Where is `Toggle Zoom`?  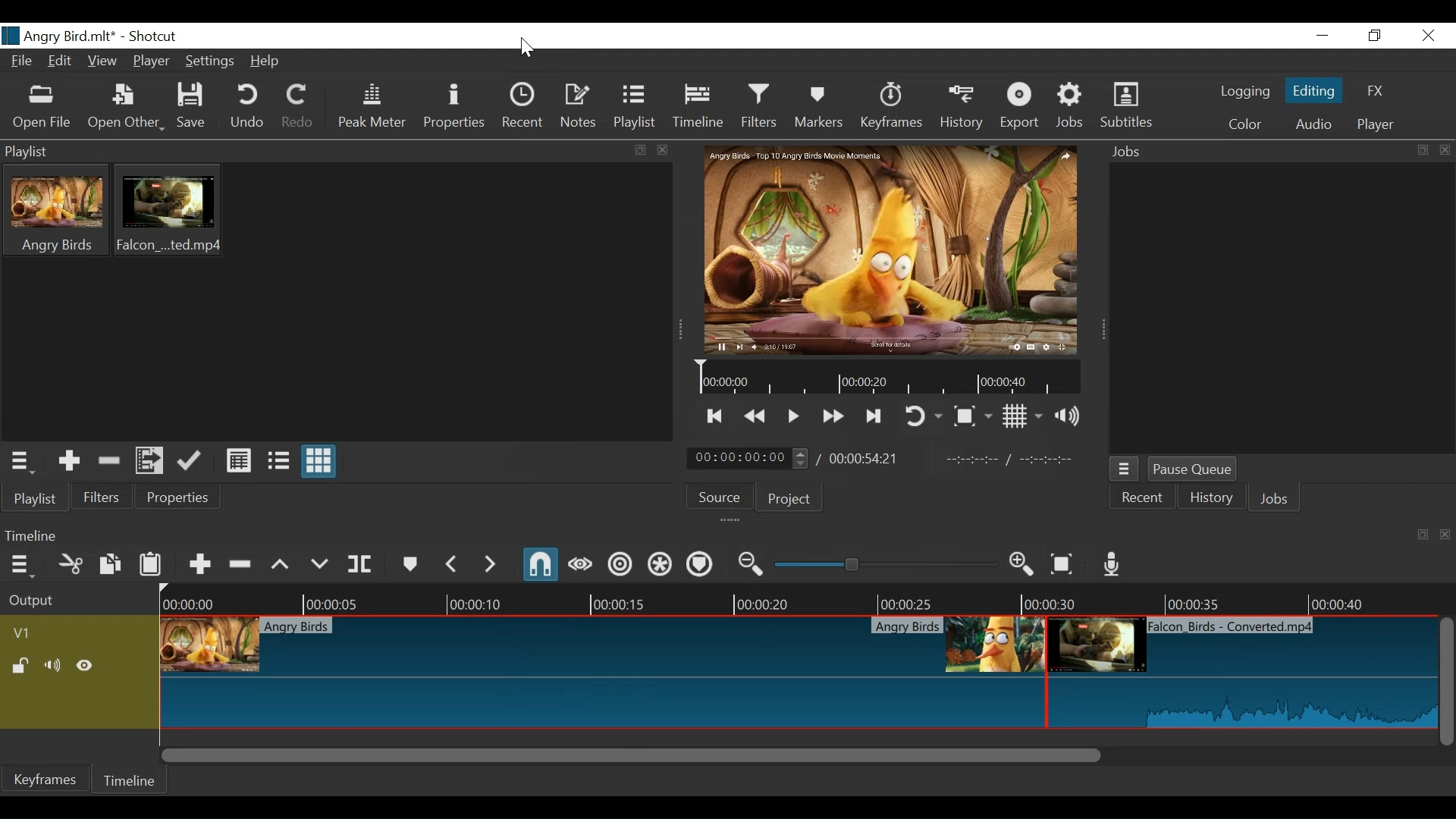 Toggle Zoom is located at coordinates (971, 416).